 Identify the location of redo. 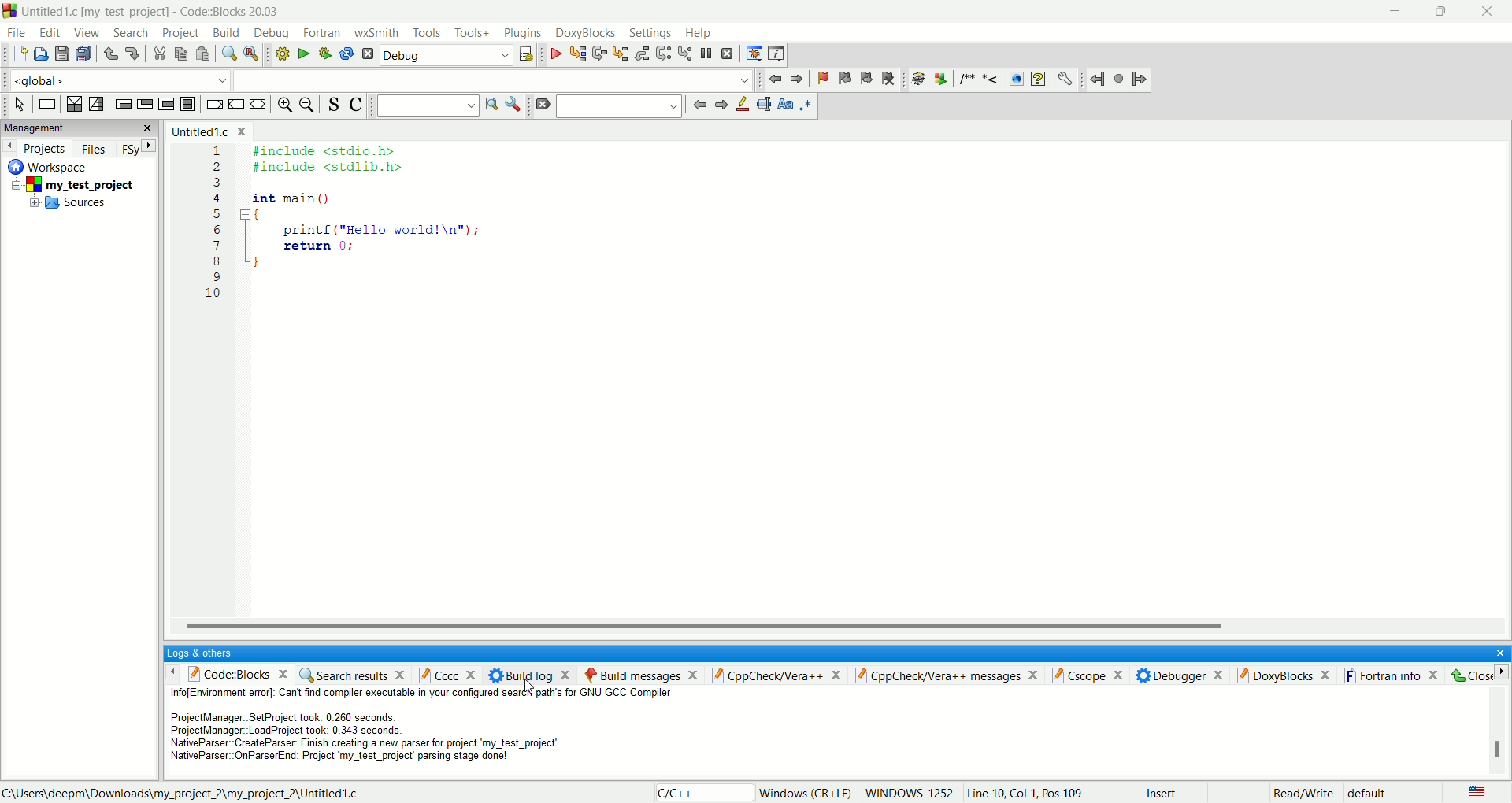
(128, 52).